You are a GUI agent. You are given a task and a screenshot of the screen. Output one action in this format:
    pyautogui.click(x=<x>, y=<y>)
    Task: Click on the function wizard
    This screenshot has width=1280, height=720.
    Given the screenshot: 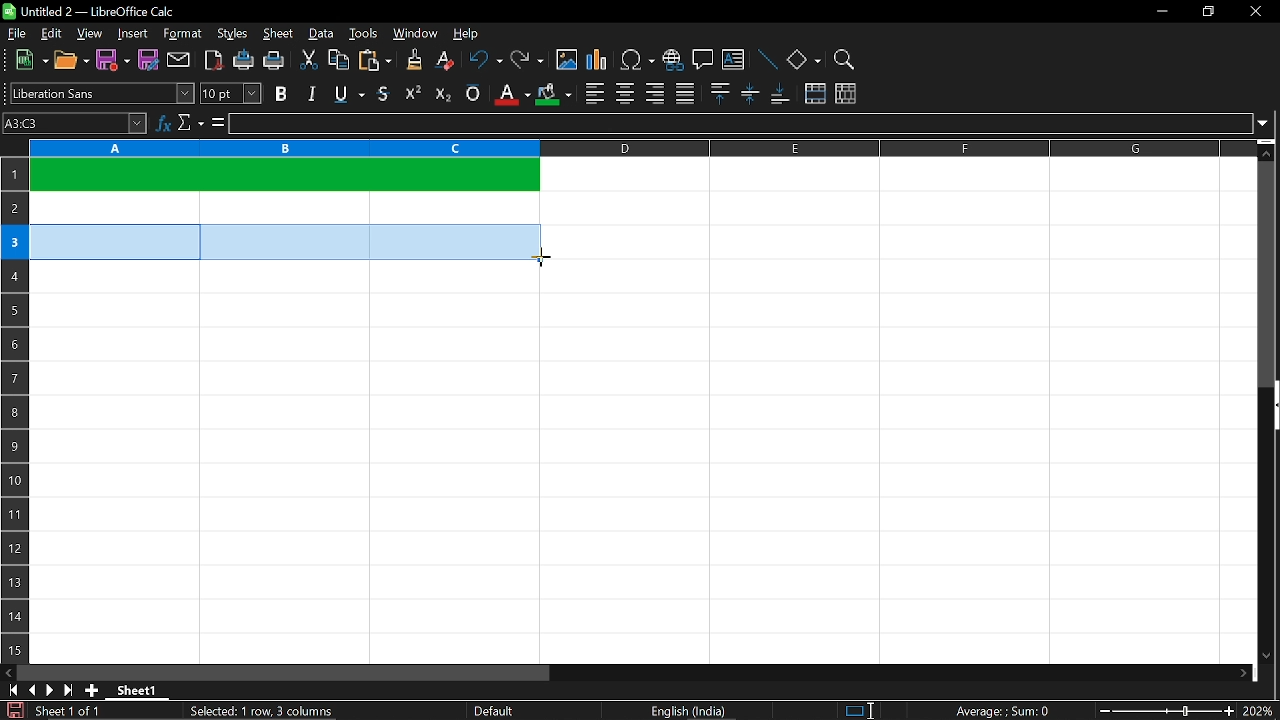 What is the action you would take?
    pyautogui.click(x=163, y=124)
    